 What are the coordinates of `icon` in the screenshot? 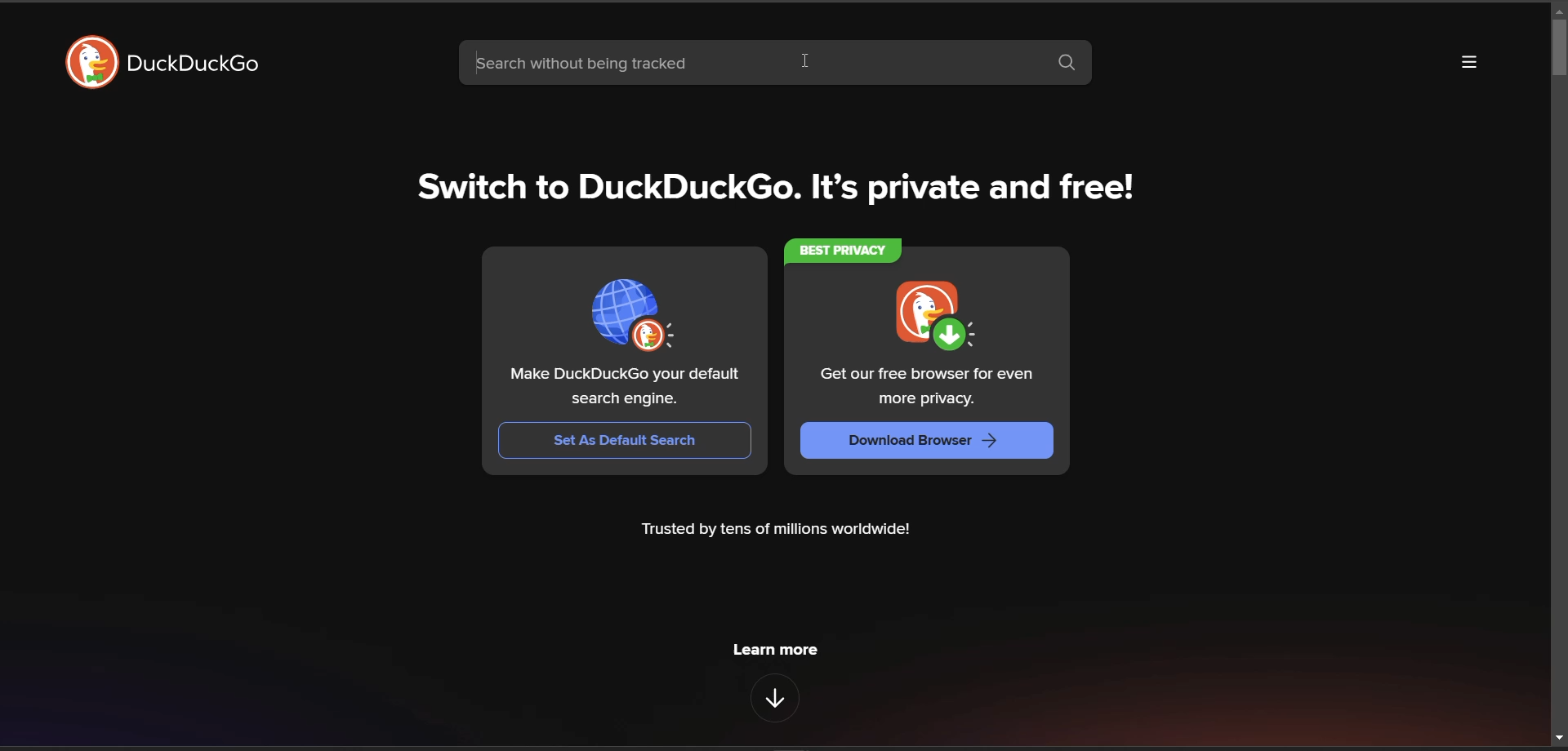 It's located at (930, 314).